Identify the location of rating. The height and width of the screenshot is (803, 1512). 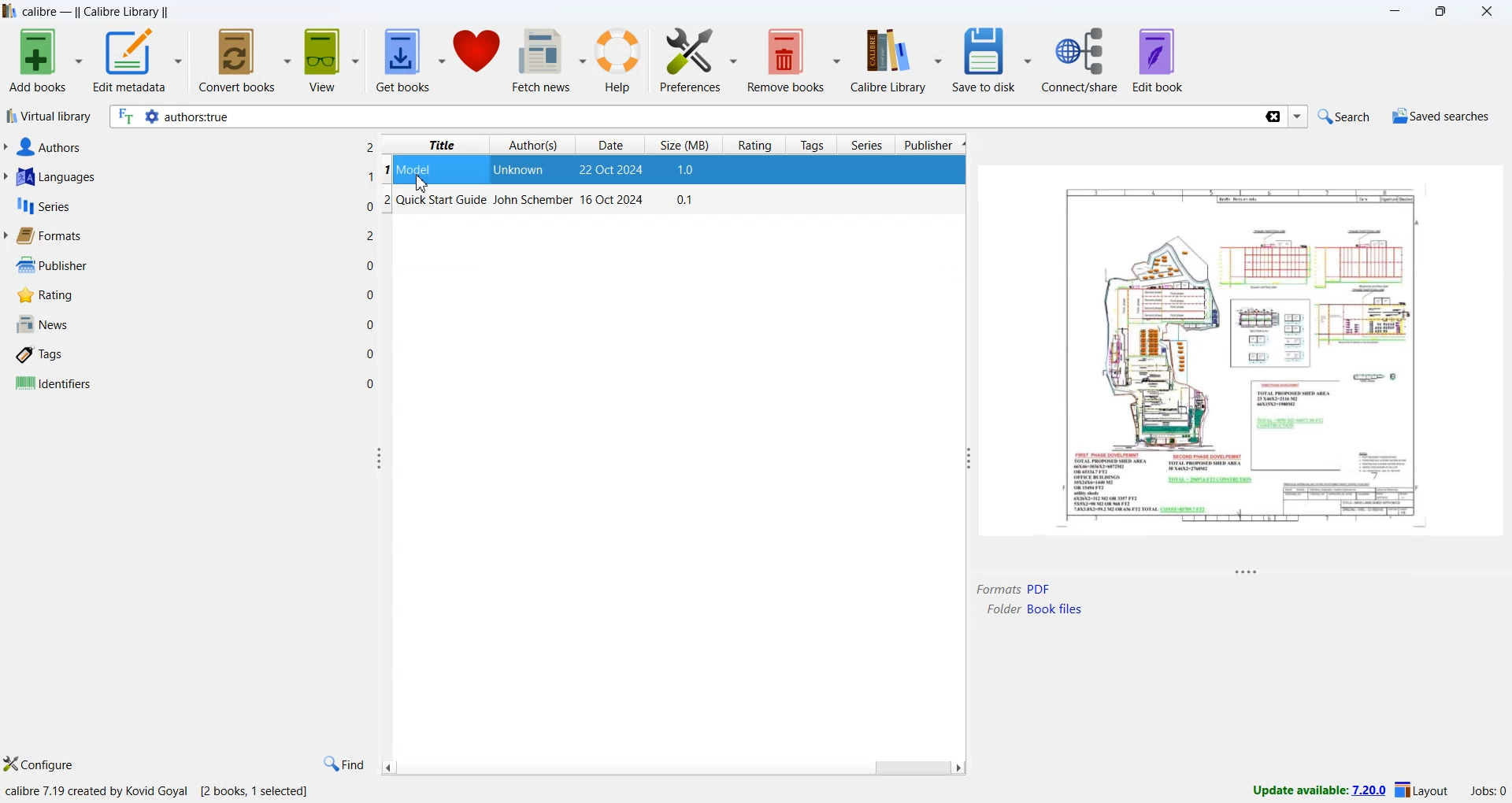
(754, 146).